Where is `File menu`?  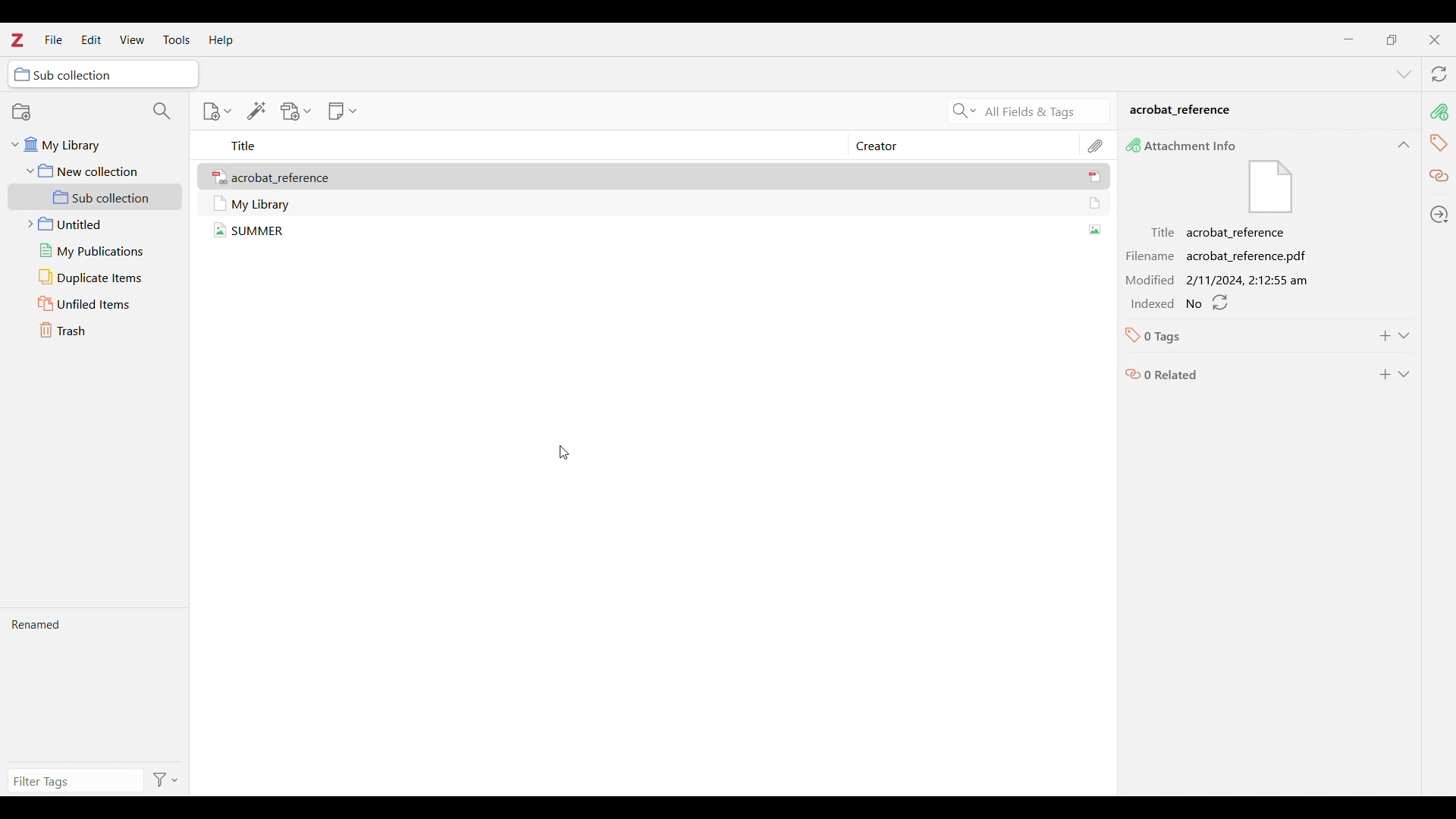 File menu is located at coordinates (54, 39).